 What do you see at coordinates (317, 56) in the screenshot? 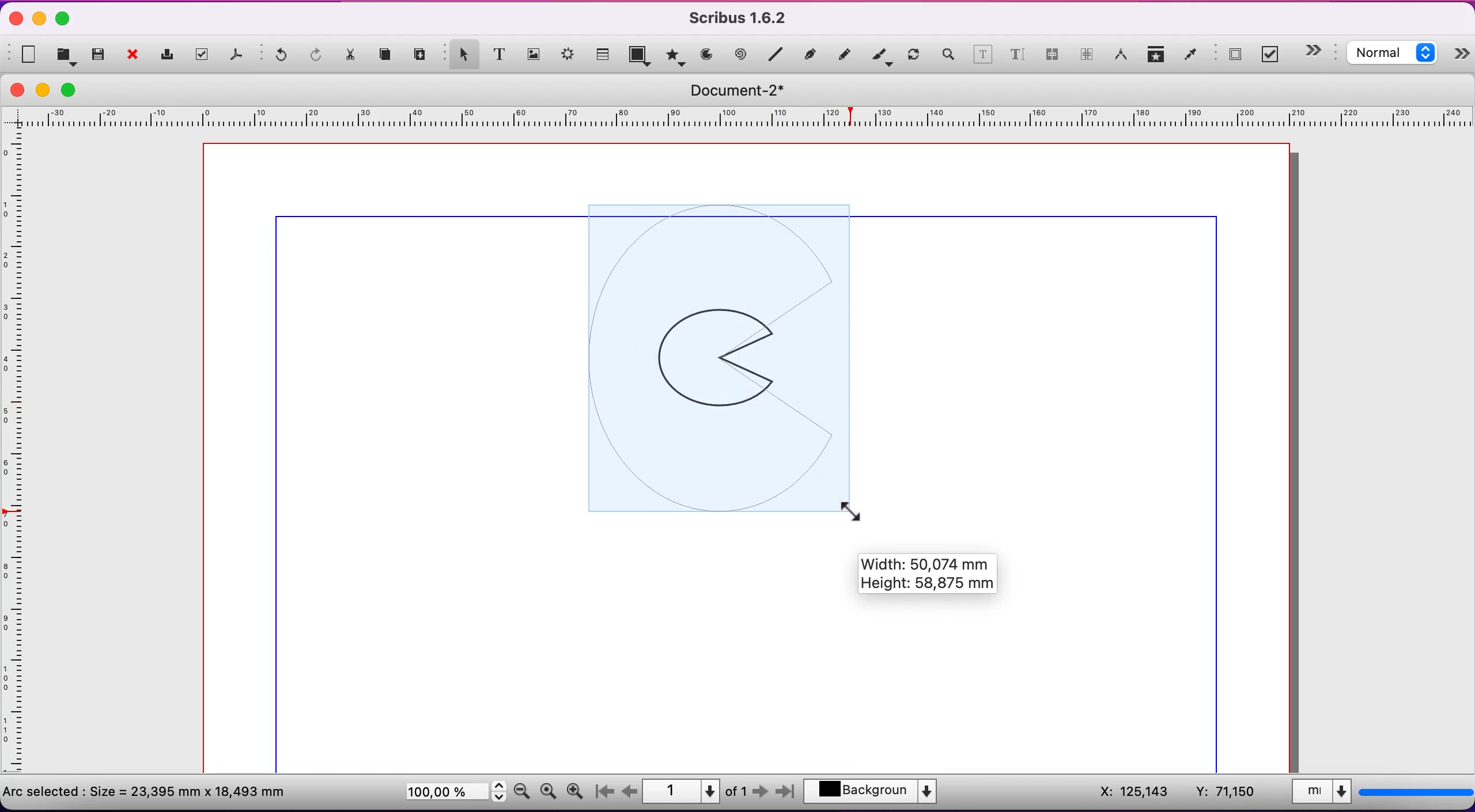
I see `redo` at bounding box center [317, 56].